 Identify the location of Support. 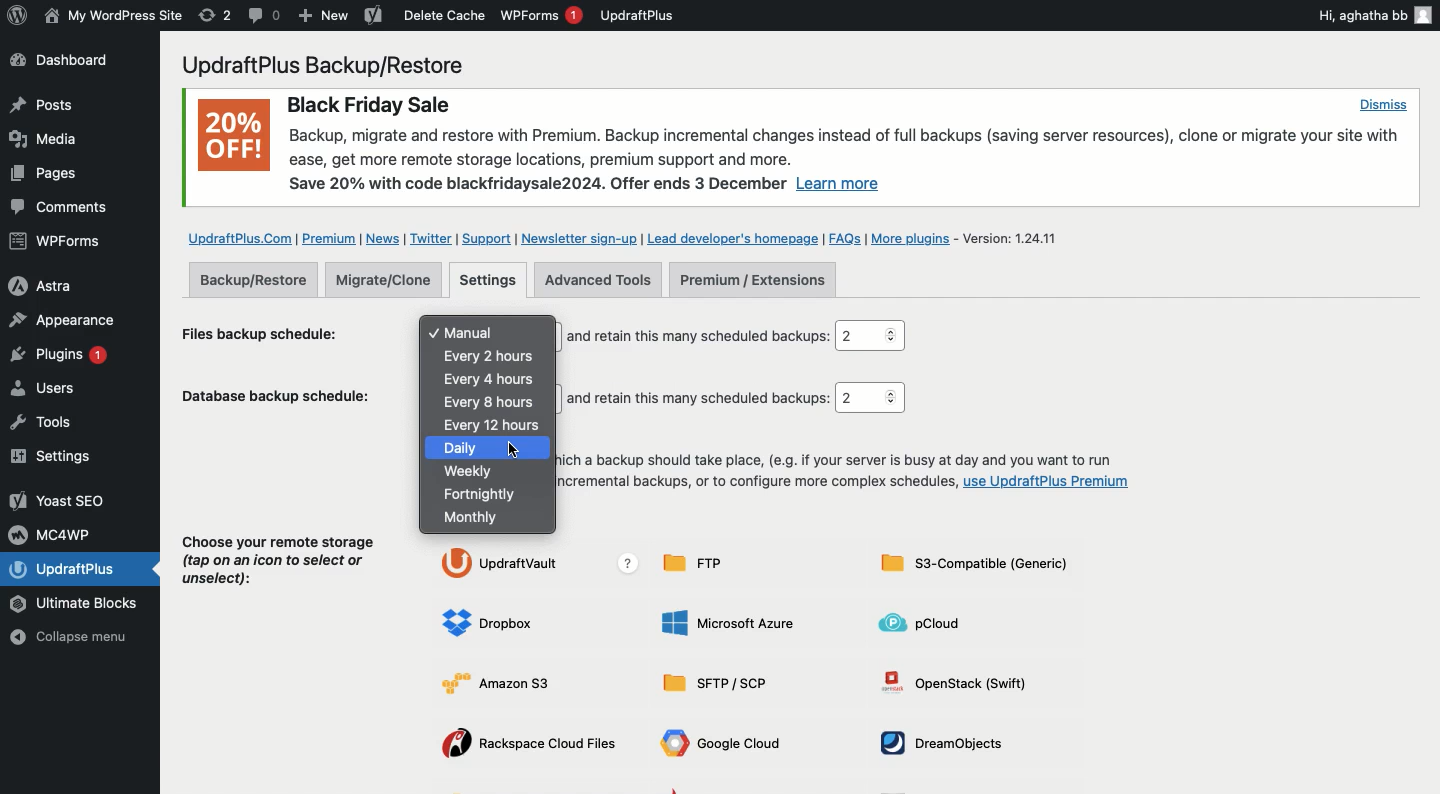
(485, 239).